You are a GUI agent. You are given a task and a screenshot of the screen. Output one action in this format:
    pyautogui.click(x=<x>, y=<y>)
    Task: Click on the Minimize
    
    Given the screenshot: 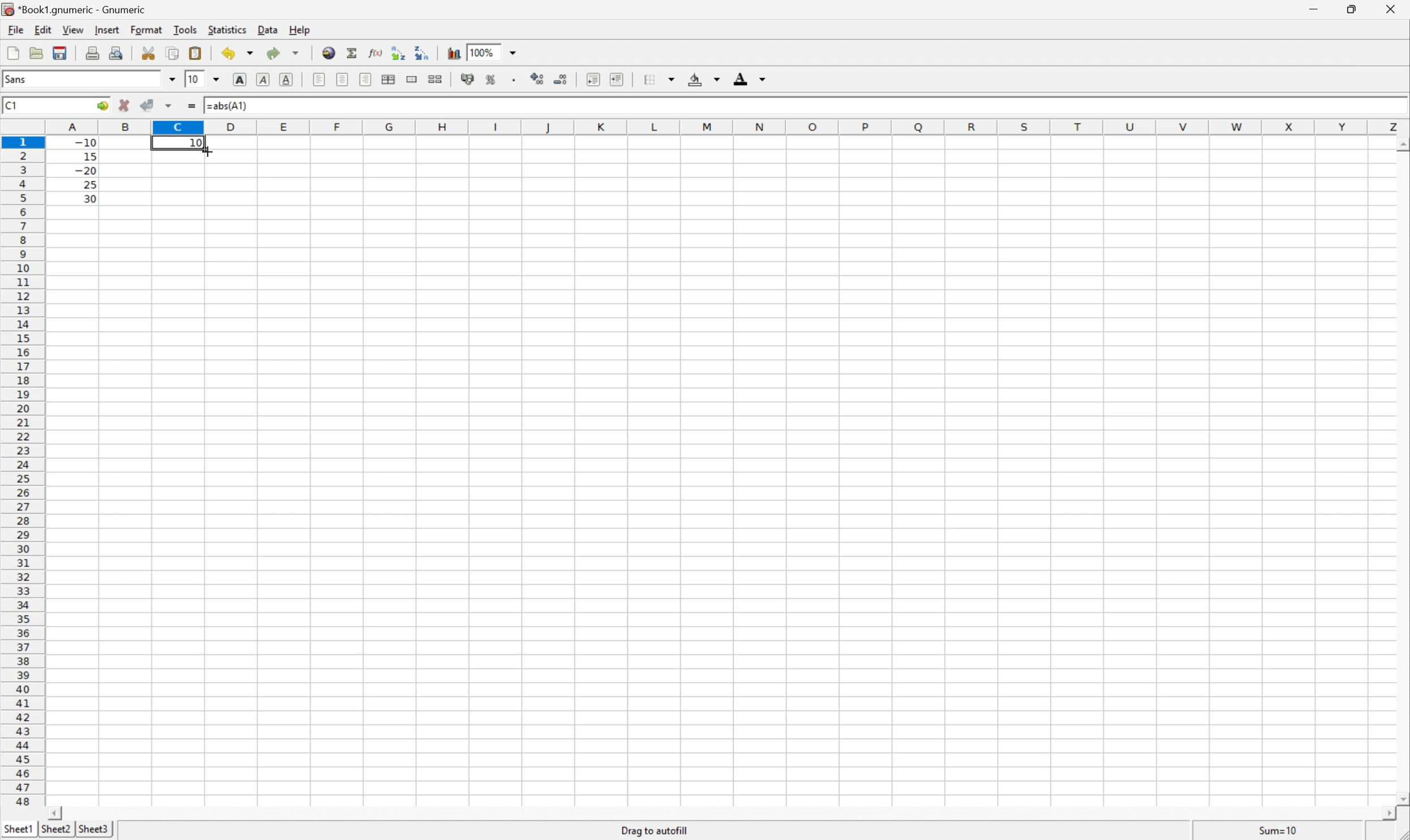 What is the action you would take?
    pyautogui.click(x=1315, y=8)
    